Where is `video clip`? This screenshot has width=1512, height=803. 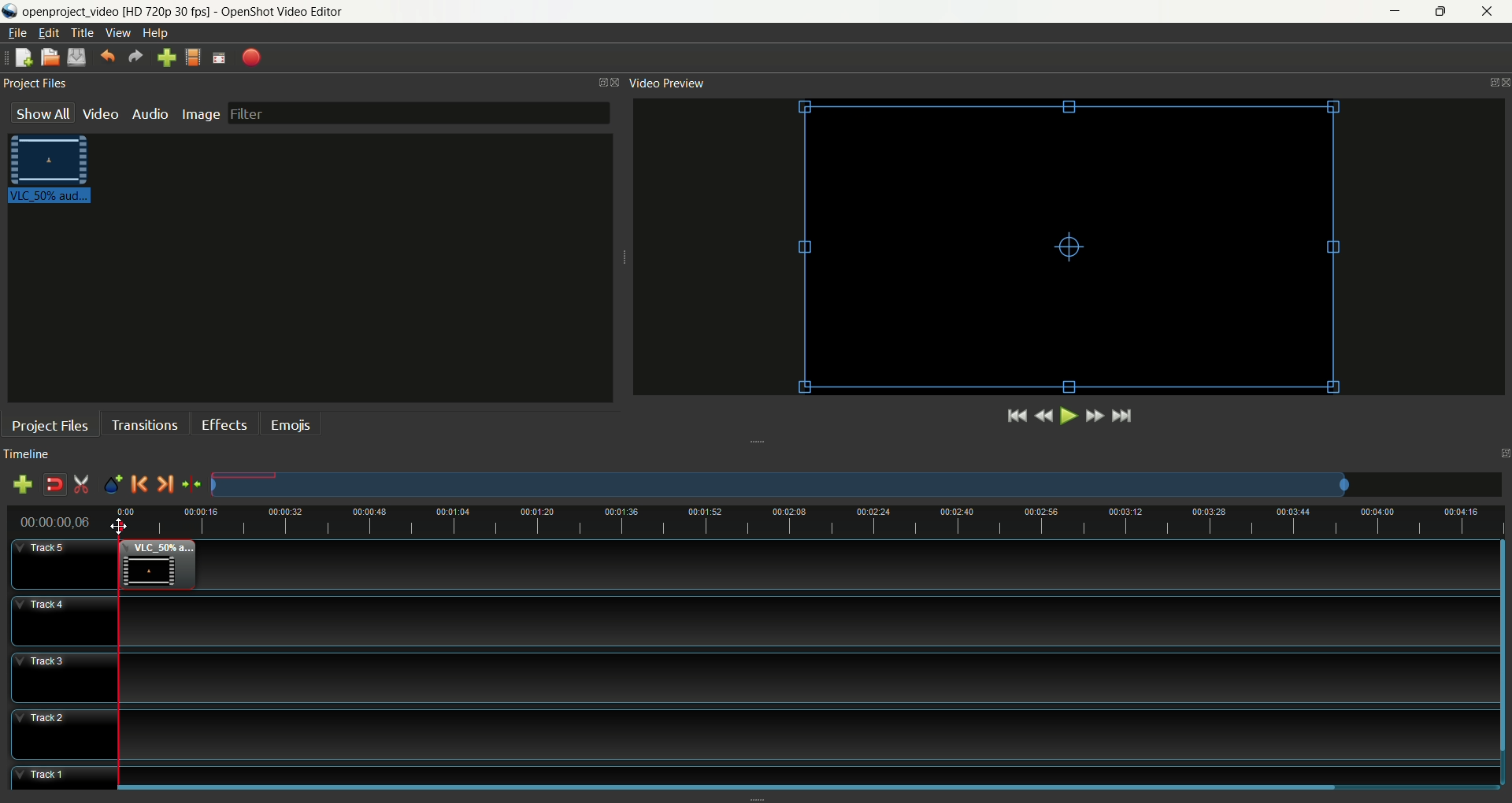 video clip is located at coordinates (157, 565).